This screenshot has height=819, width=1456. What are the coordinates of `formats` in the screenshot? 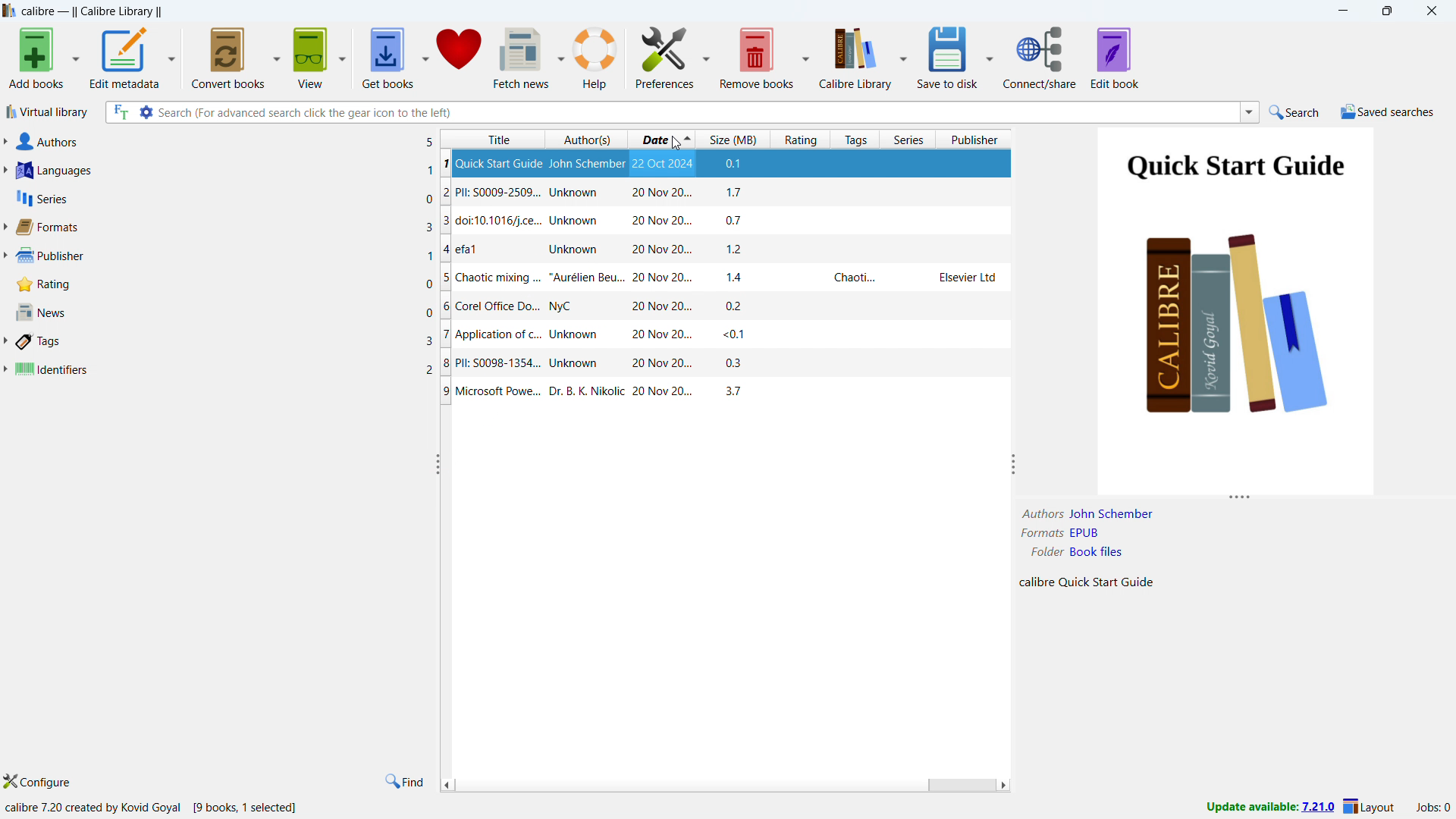 It's located at (223, 227).